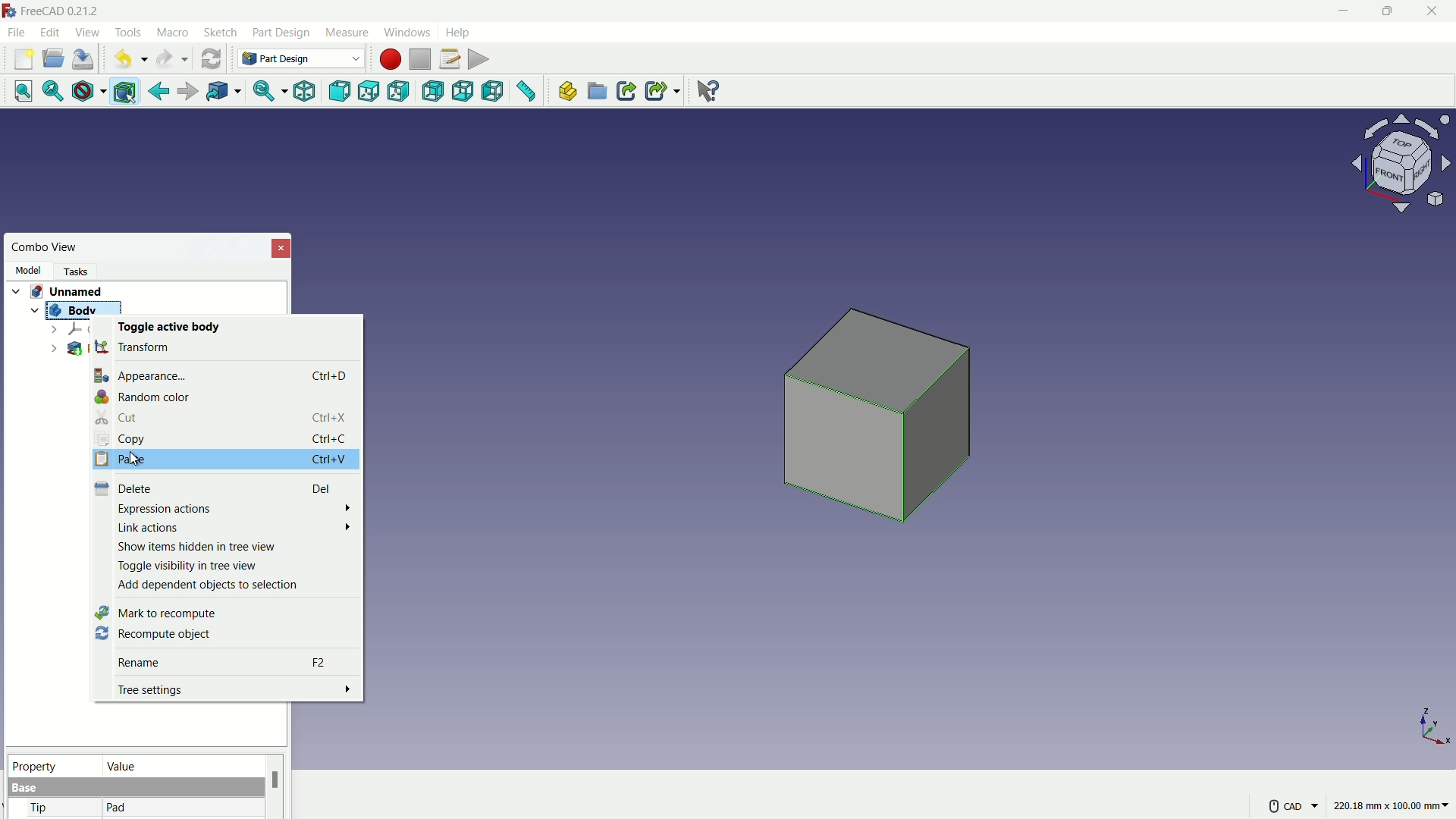  What do you see at coordinates (226, 459) in the screenshot?
I see `Paste Ctrl+V` at bounding box center [226, 459].